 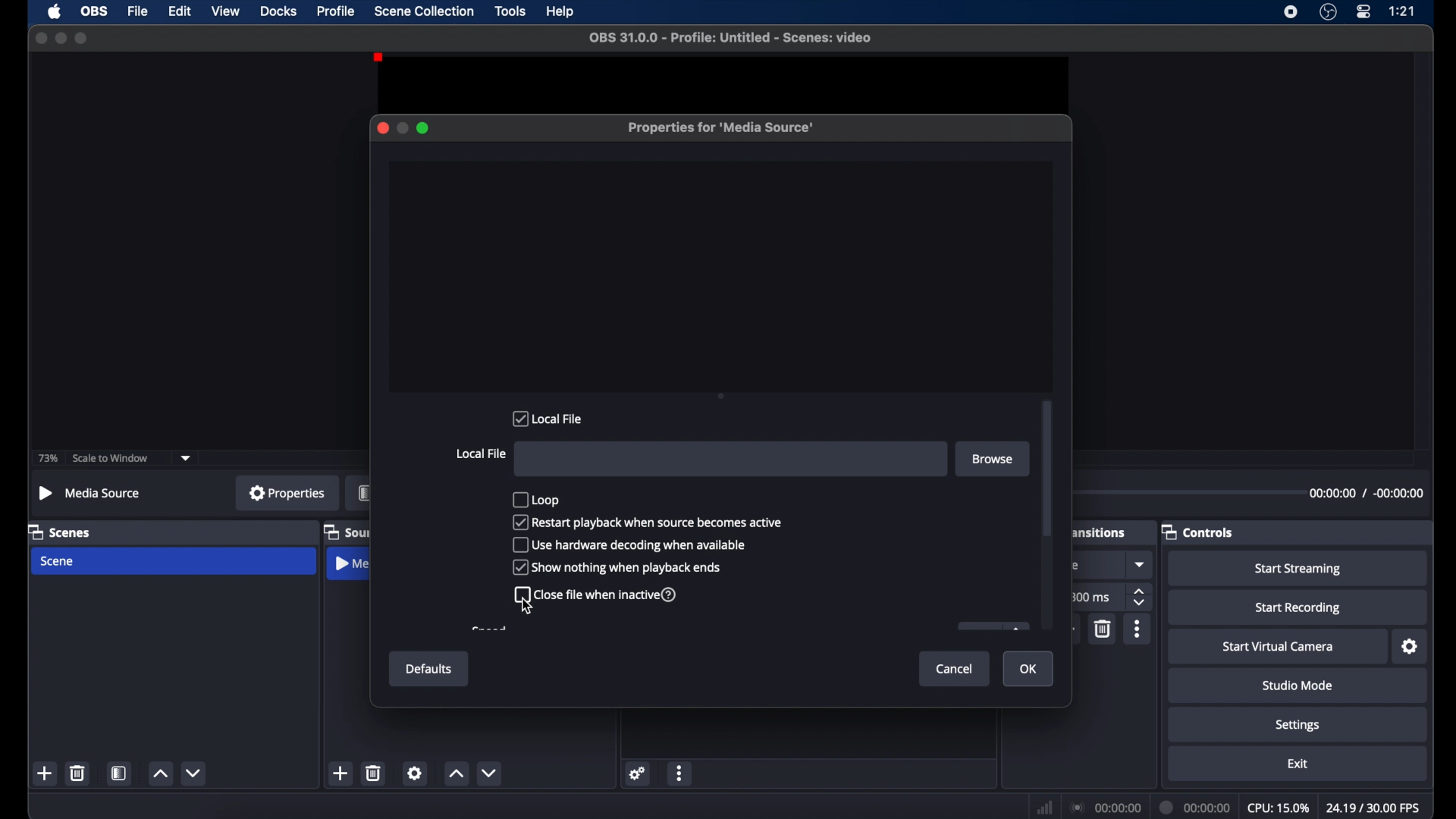 What do you see at coordinates (140, 11) in the screenshot?
I see `file` at bounding box center [140, 11].